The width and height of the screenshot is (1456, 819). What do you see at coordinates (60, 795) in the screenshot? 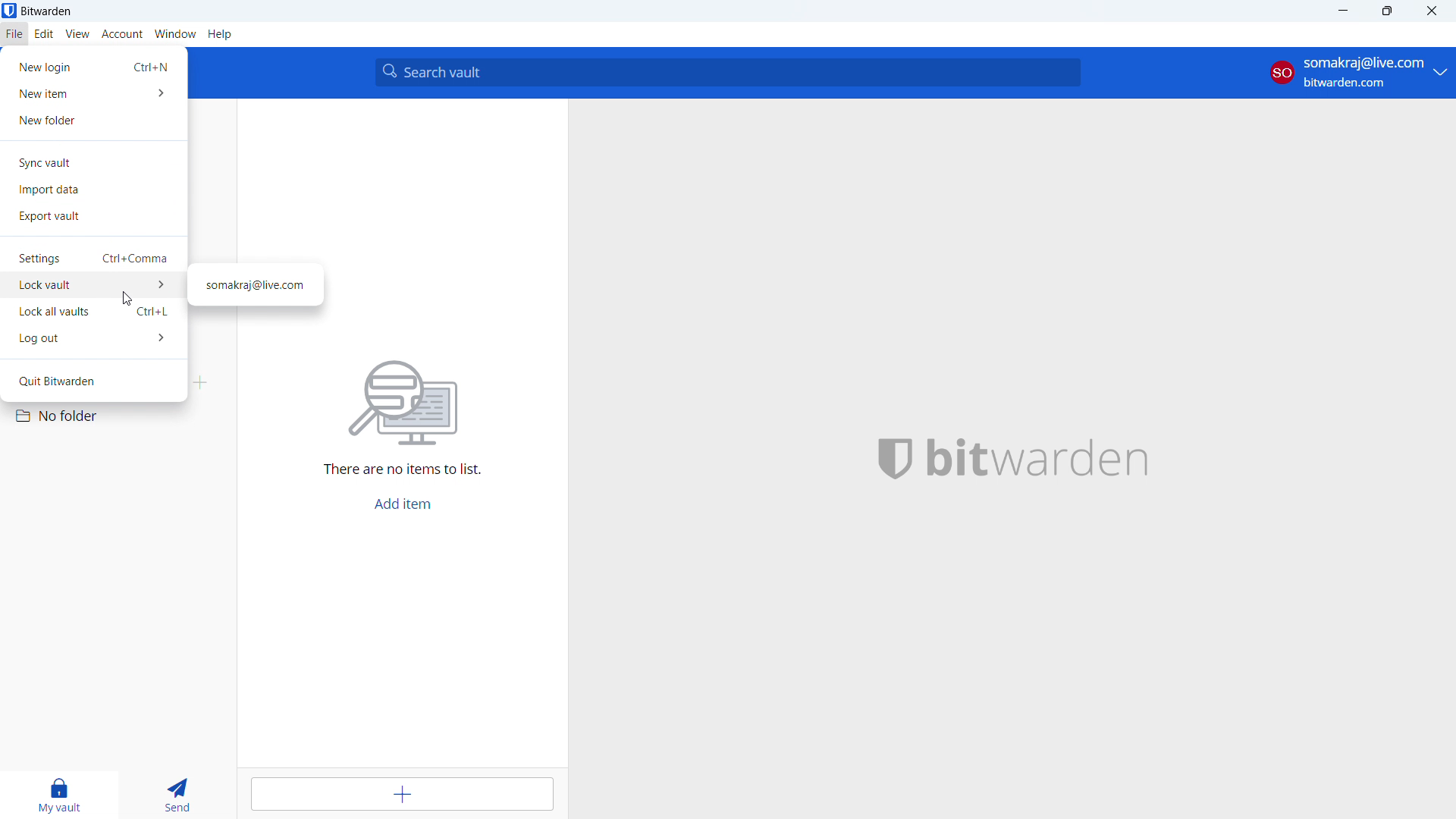
I see `my vault` at bounding box center [60, 795].